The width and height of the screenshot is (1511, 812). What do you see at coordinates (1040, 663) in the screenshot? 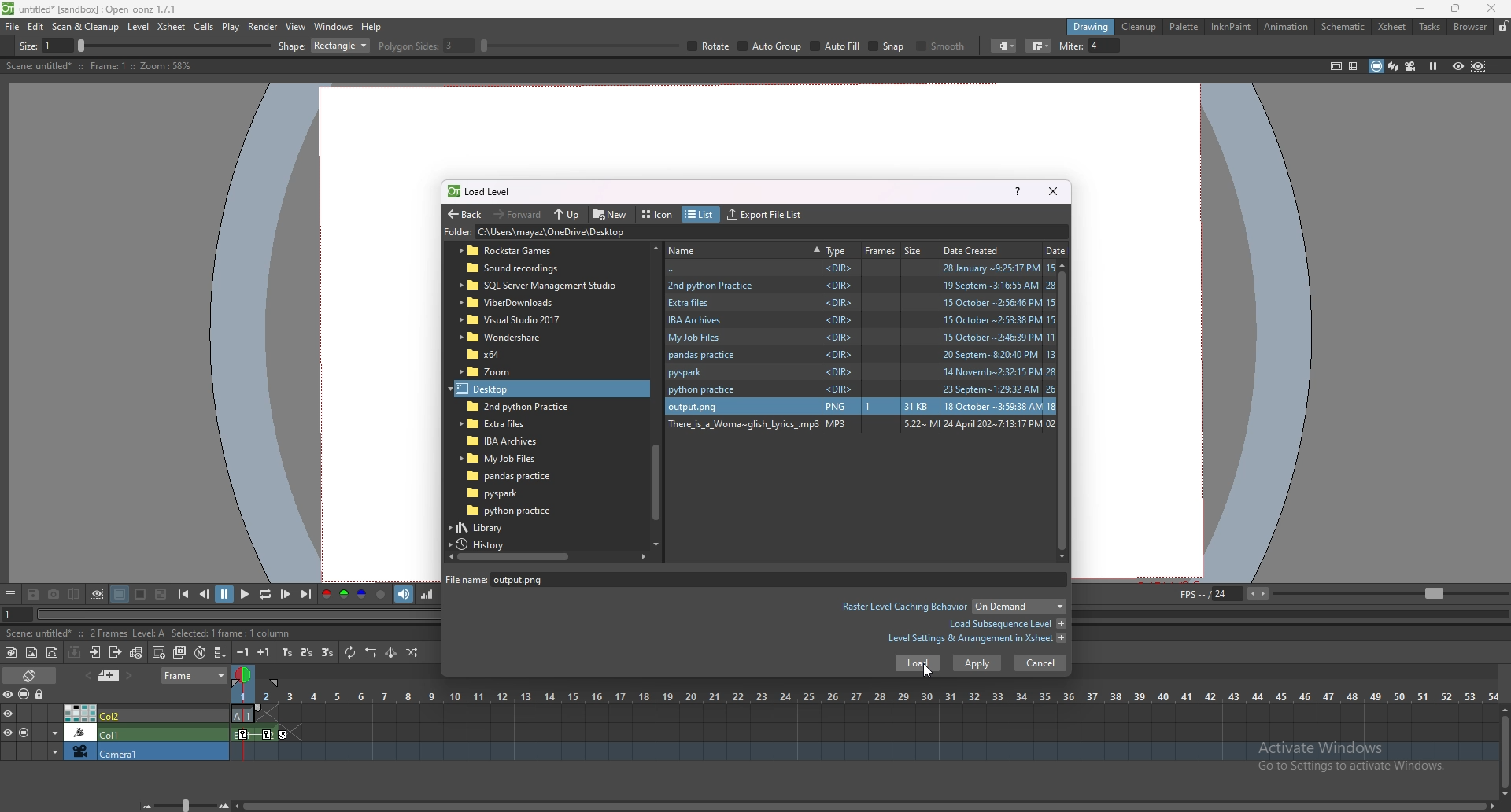
I see `cancel` at bounding box center [1040, 663].